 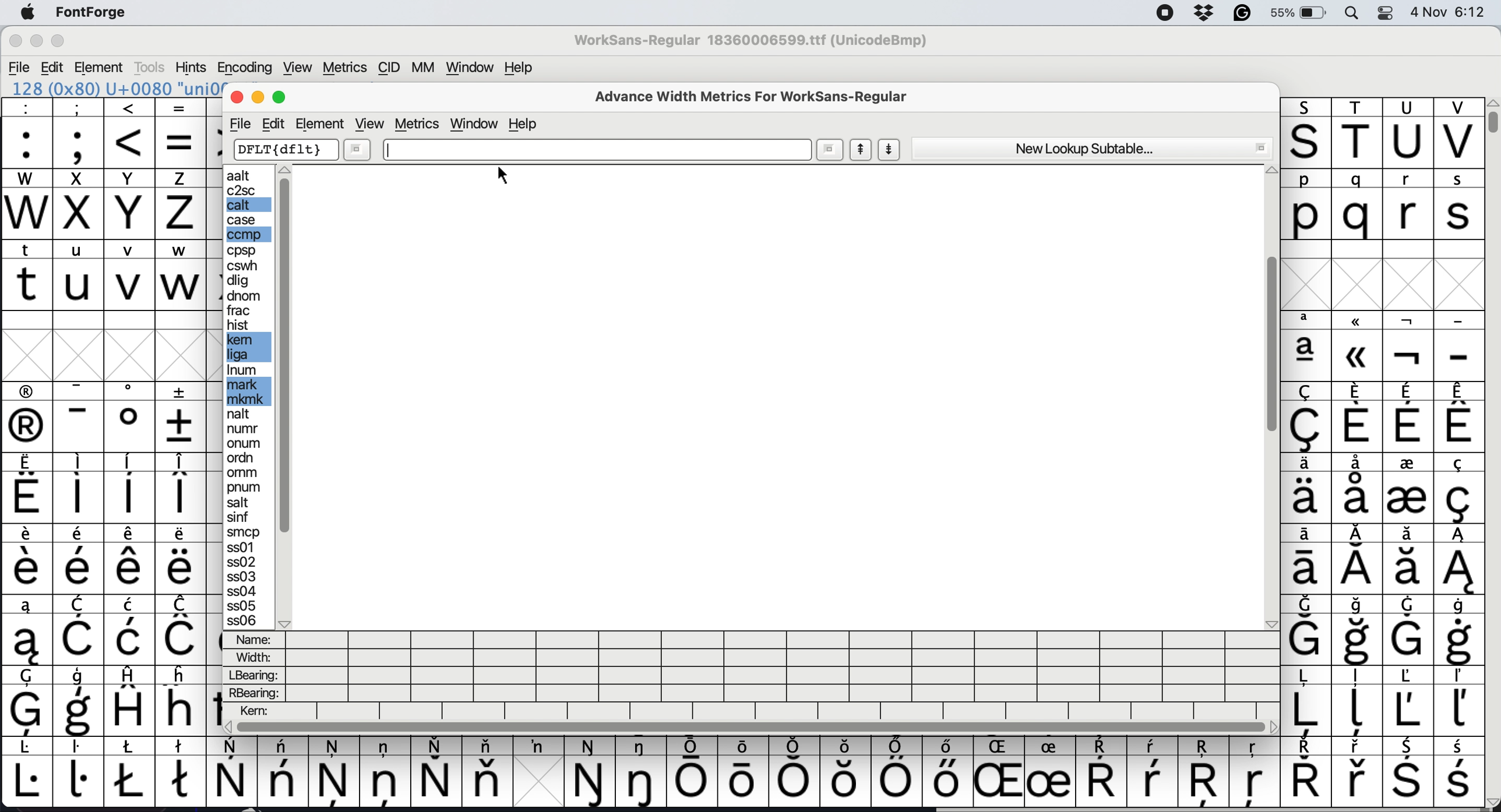 I want to click on lowercase letters, so click(x=1376, y=212).